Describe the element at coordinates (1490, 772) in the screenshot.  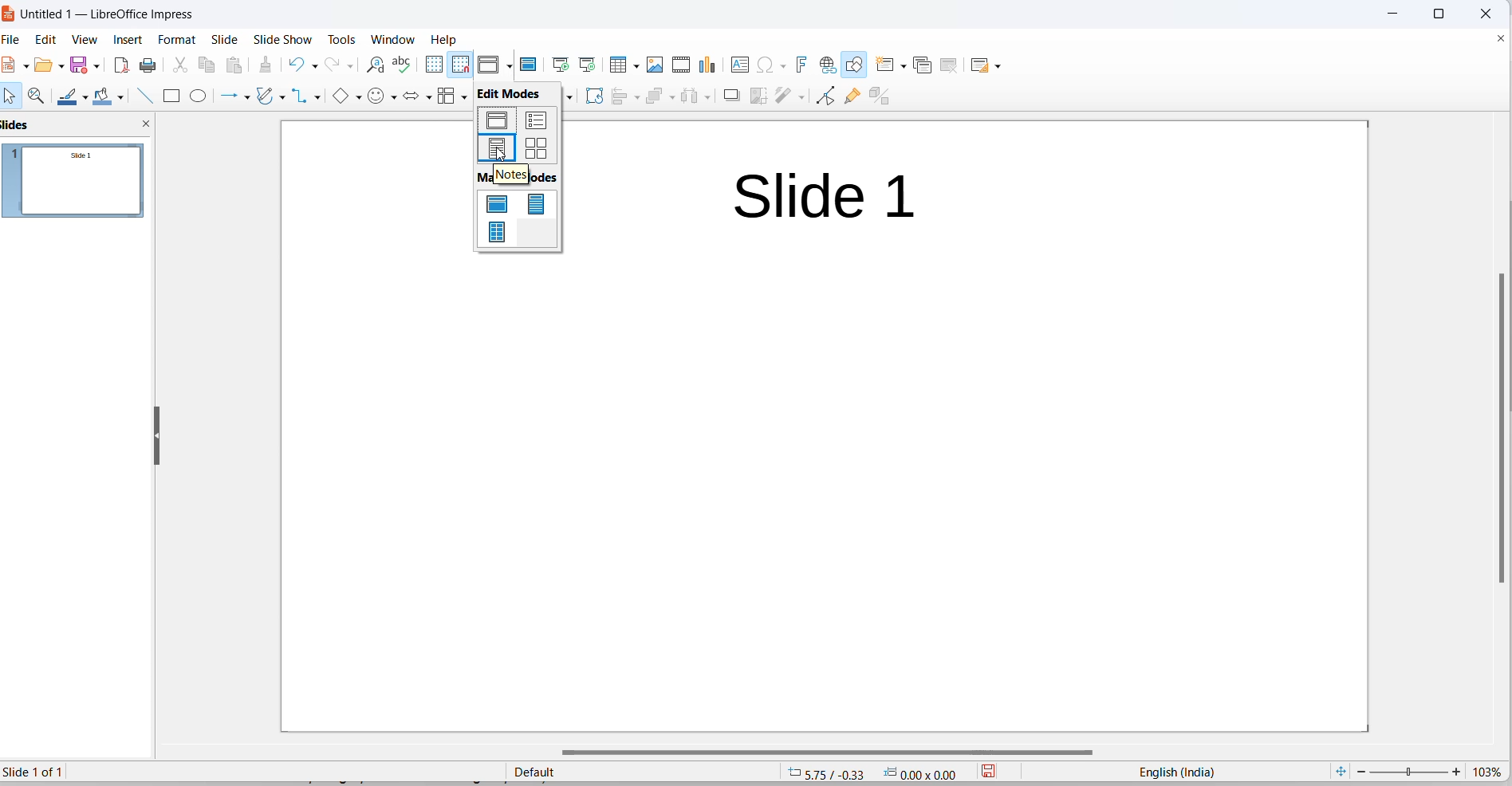
I see `zoom percentage` at that location.